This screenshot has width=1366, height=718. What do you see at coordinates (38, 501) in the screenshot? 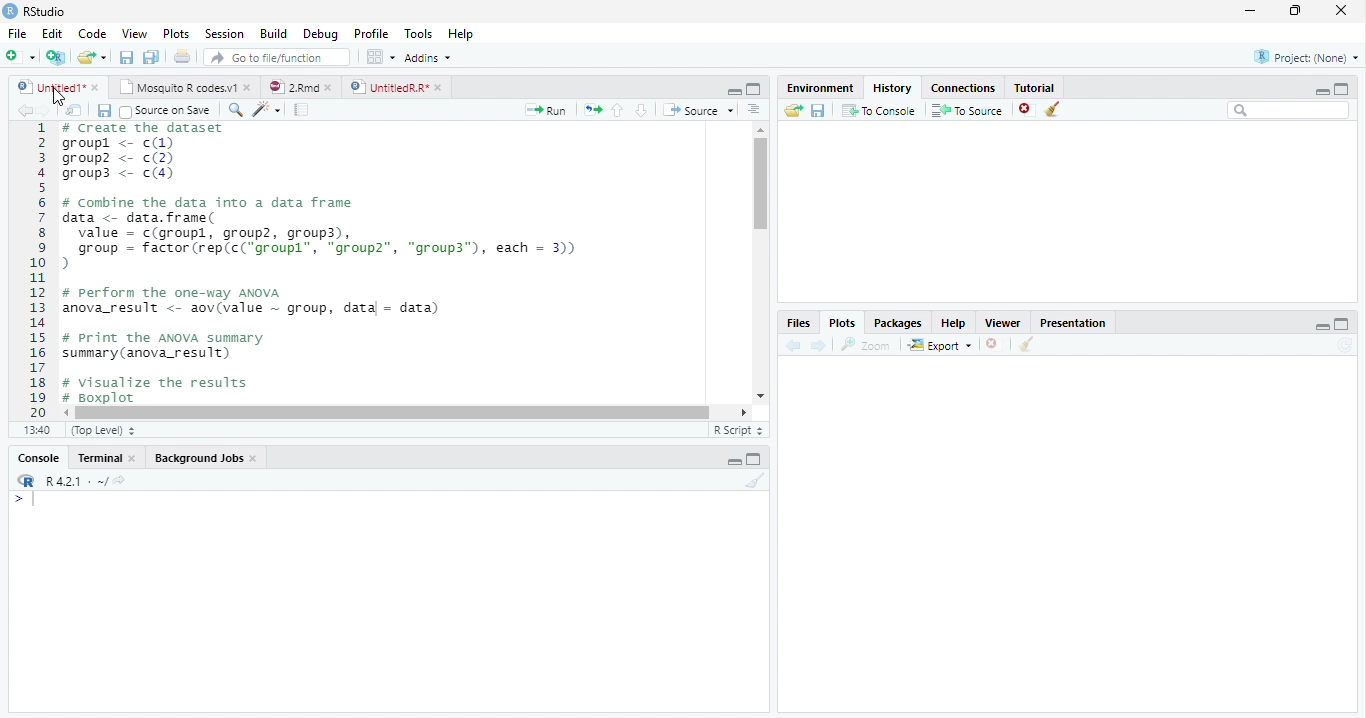
I see `Cursor` at bounding box center [38, 501].